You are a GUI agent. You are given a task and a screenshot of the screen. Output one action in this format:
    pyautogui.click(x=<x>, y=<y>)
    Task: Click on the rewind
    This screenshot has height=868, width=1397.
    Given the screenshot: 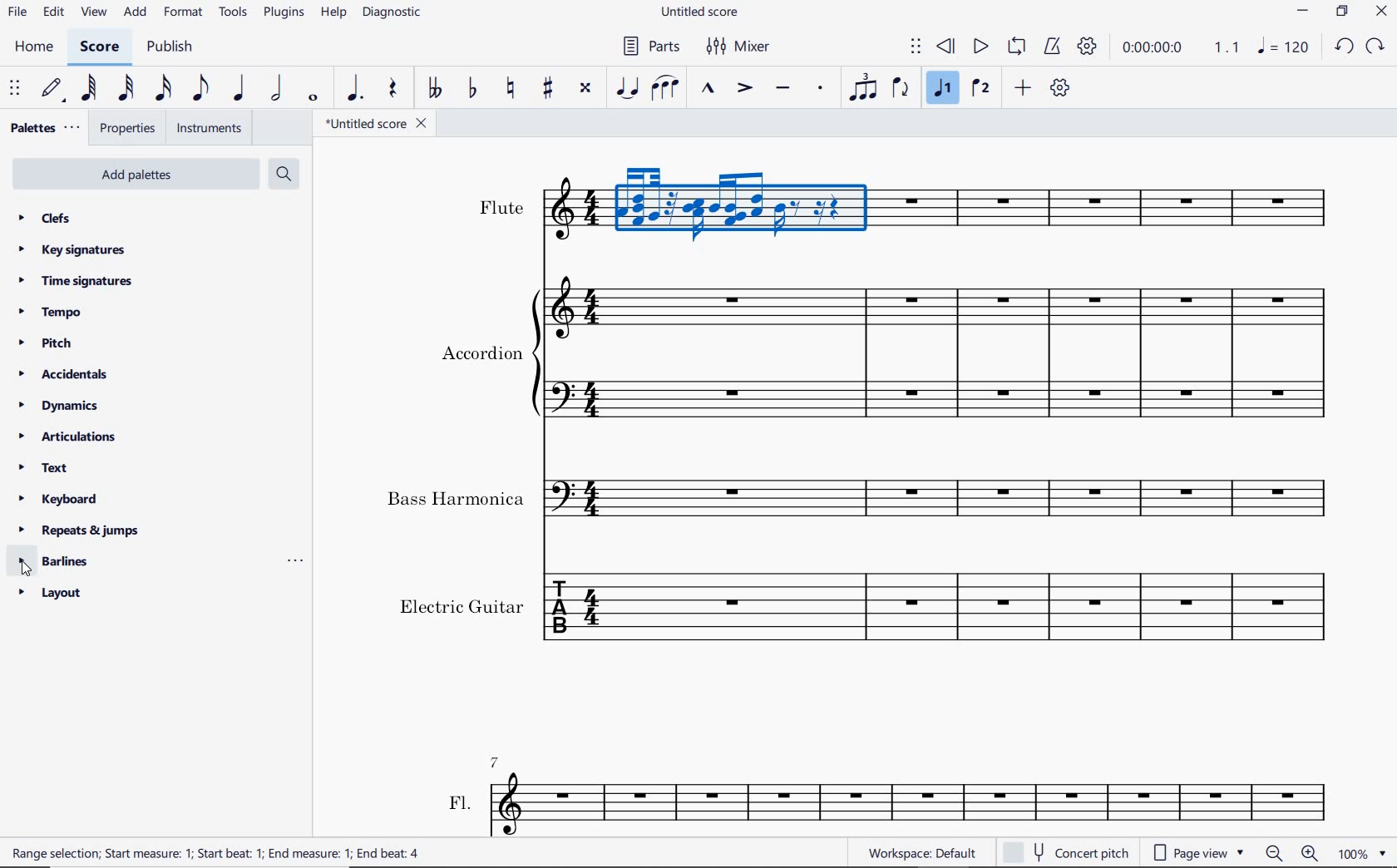 What is the action you would take?
    pyautogui.click(x=946, y=47)
    